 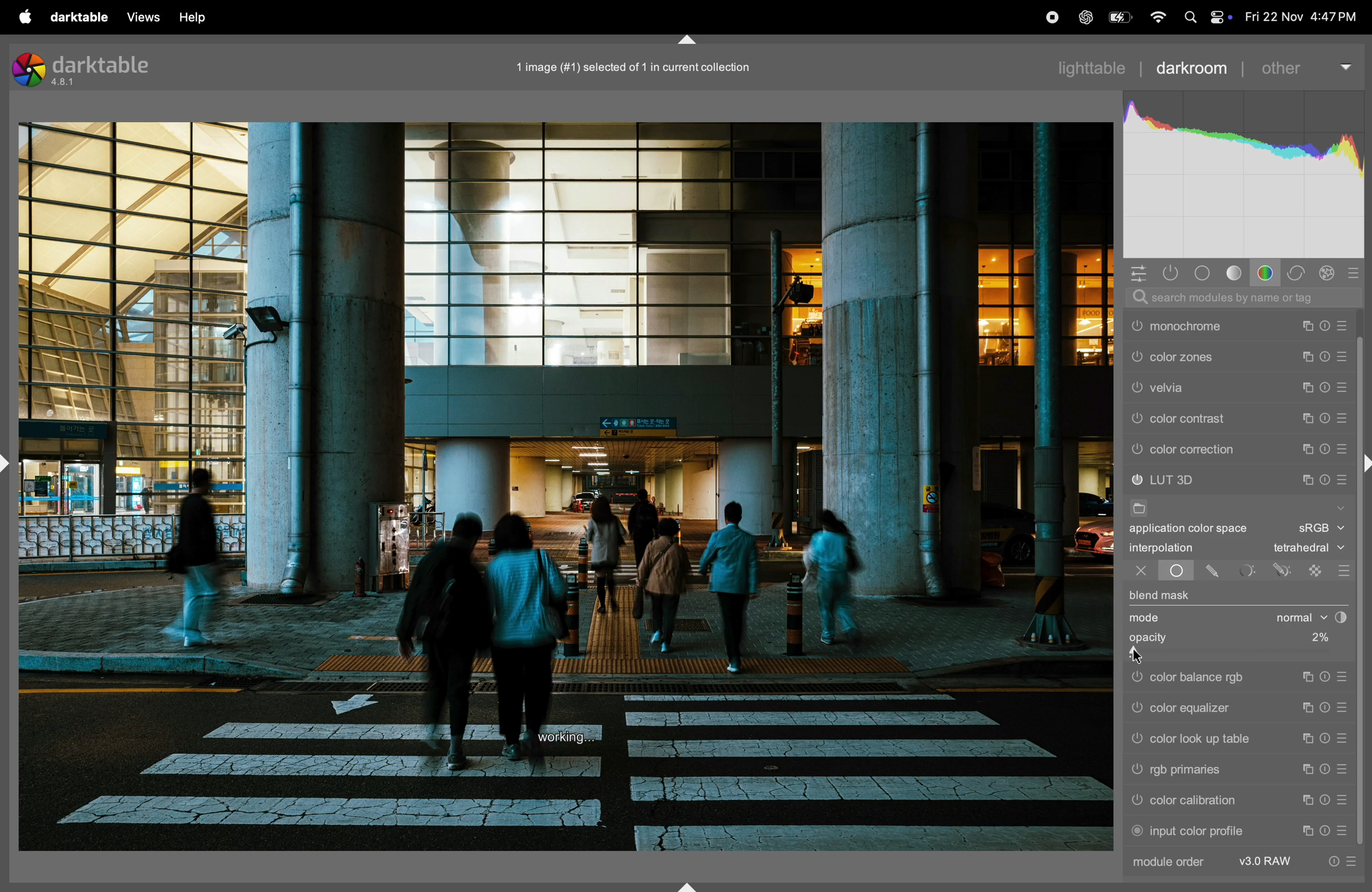 What do you see at coordinates (1327, 710) in the screenshot?
I see `reset` at bounding box center [1327, 710].